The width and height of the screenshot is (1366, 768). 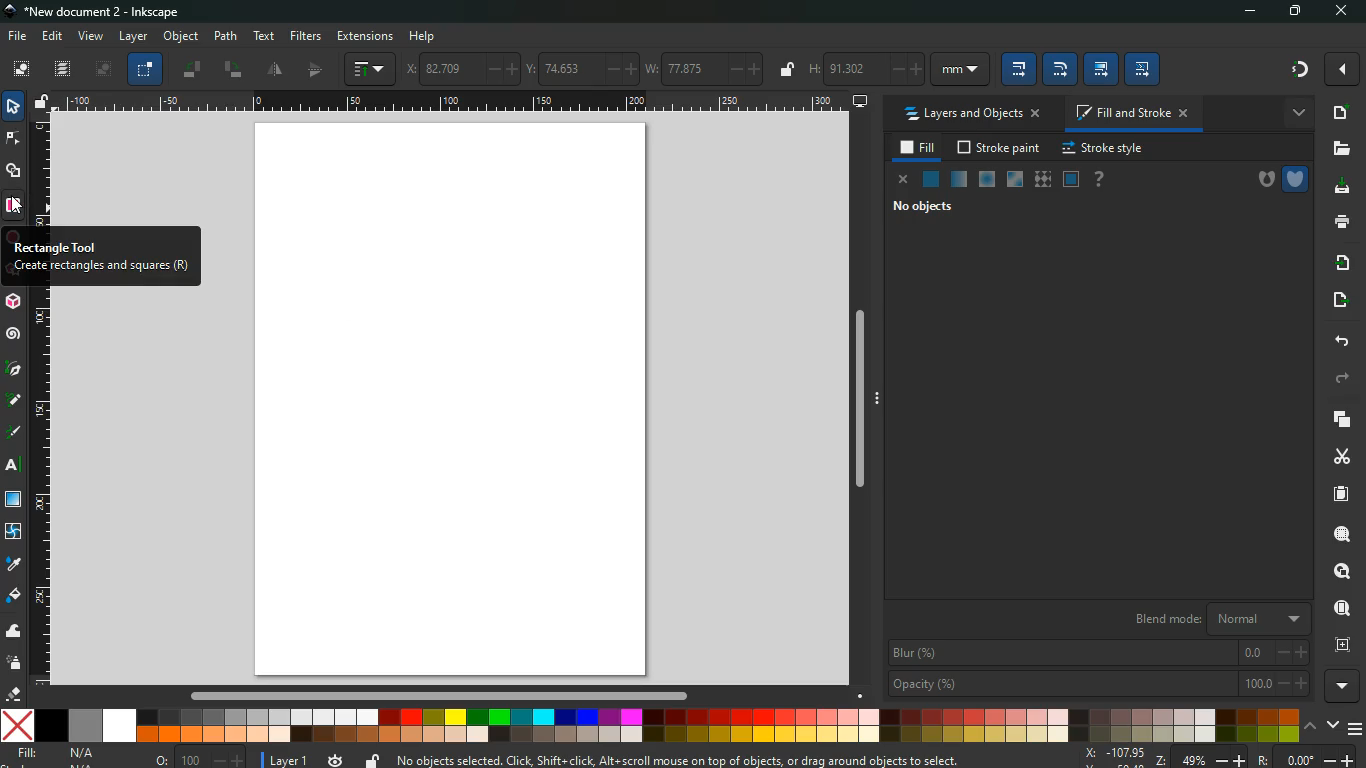 I want to click on highlight, so click(x=13, y=402).